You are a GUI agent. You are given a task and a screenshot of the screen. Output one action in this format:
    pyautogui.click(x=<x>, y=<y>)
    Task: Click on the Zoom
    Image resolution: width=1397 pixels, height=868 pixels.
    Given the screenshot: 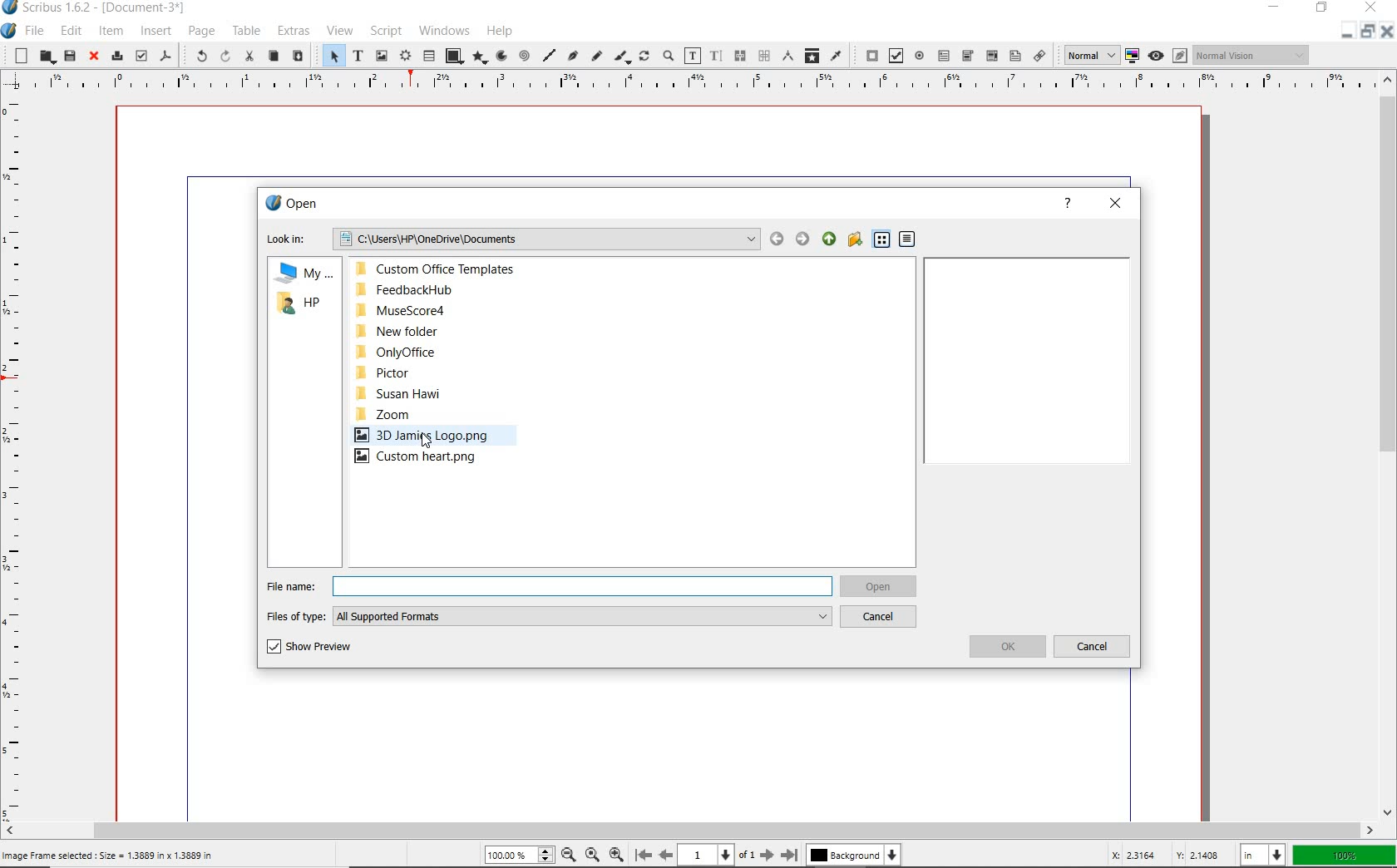 What is the action you would take?
    pyautogui.click(x=435, y=417)
    